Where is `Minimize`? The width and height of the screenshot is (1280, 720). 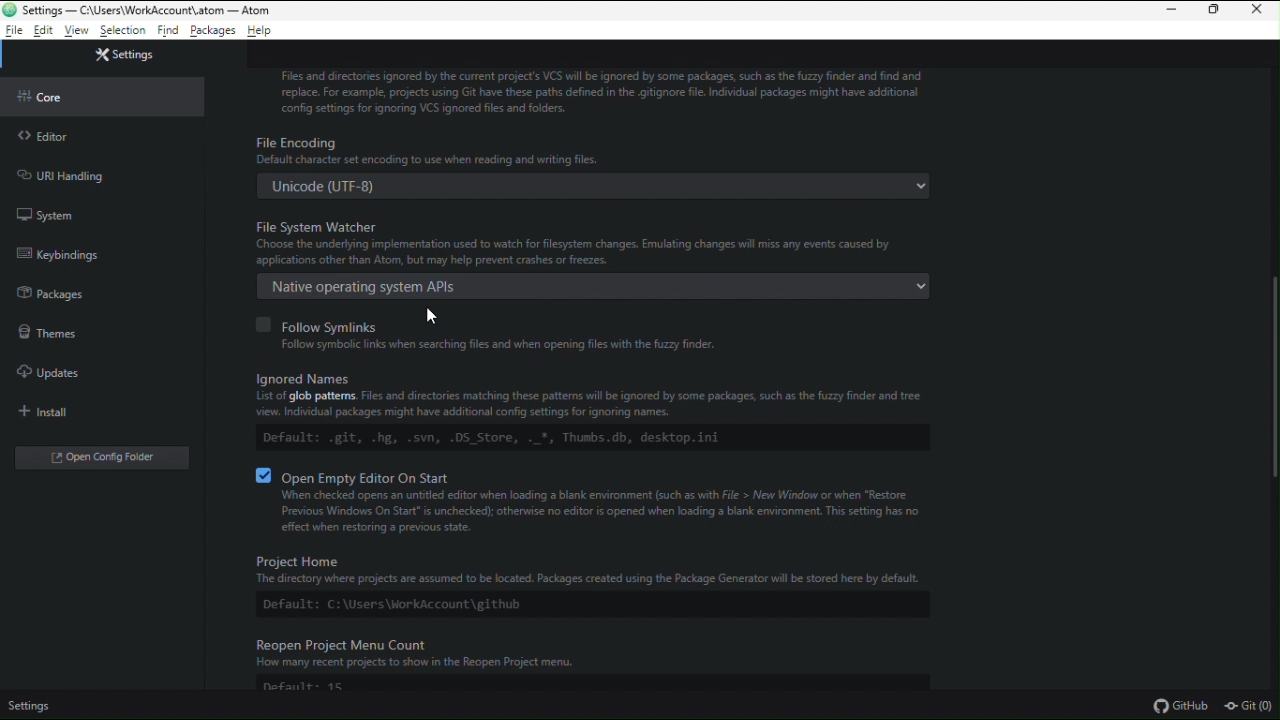
Minimize is located at coordinates (1168, 11).